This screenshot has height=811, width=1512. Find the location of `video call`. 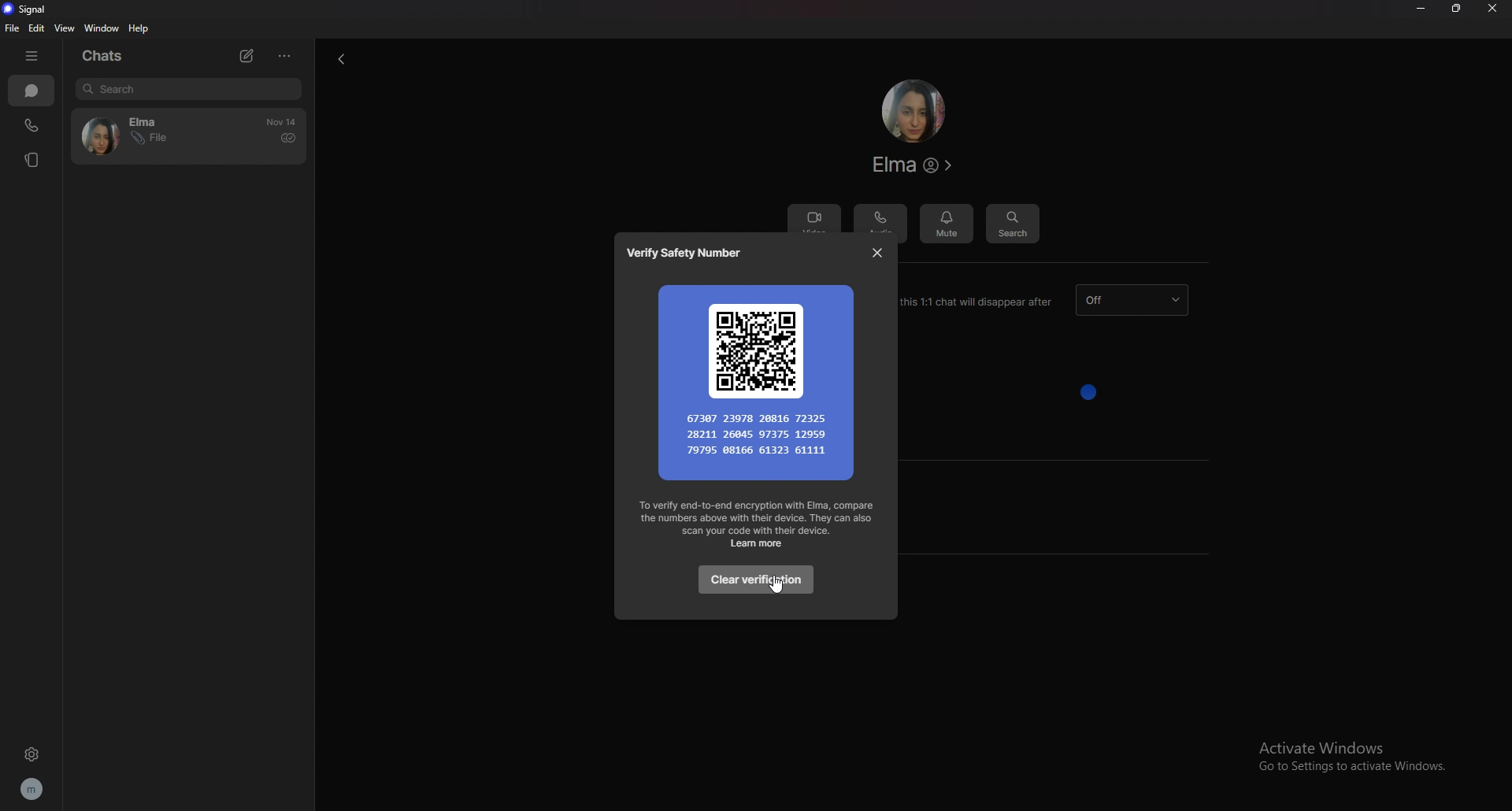

video call is located at coordinates (813, 215).